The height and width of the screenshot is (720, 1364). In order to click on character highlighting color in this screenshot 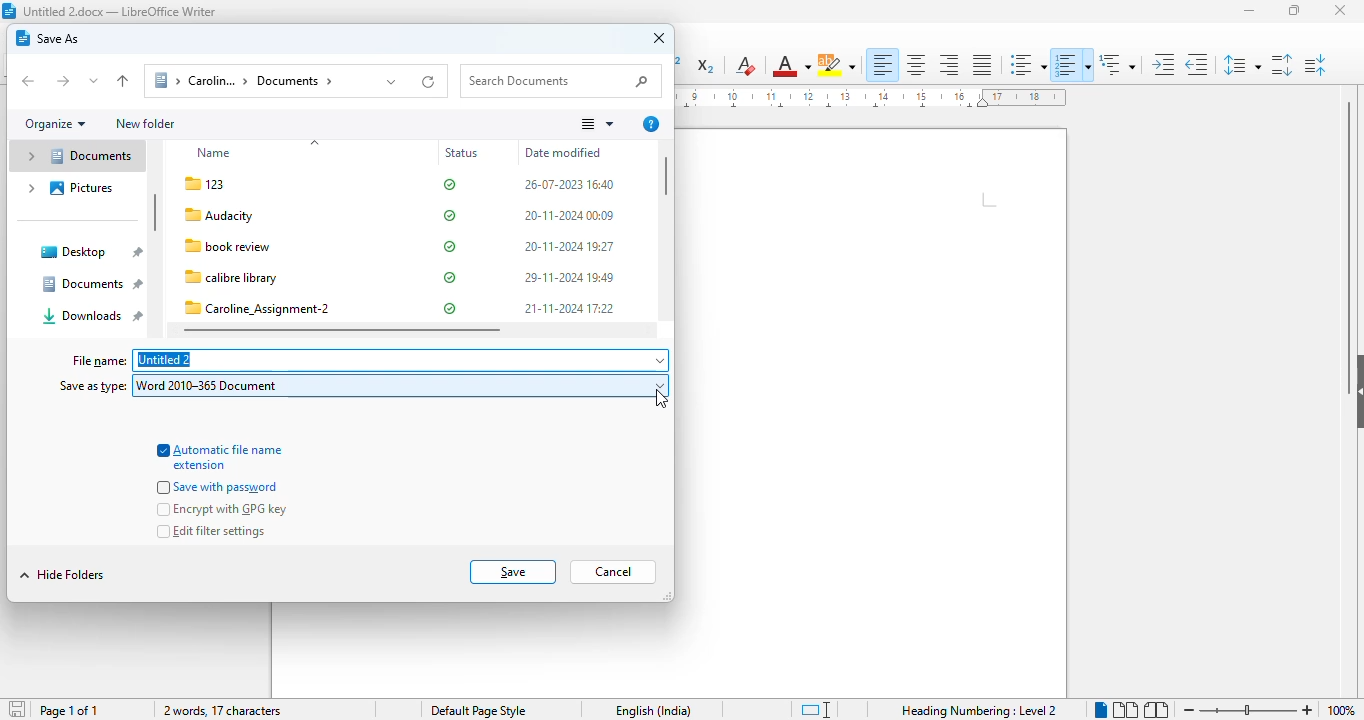, I will do `click(837, 65)`.